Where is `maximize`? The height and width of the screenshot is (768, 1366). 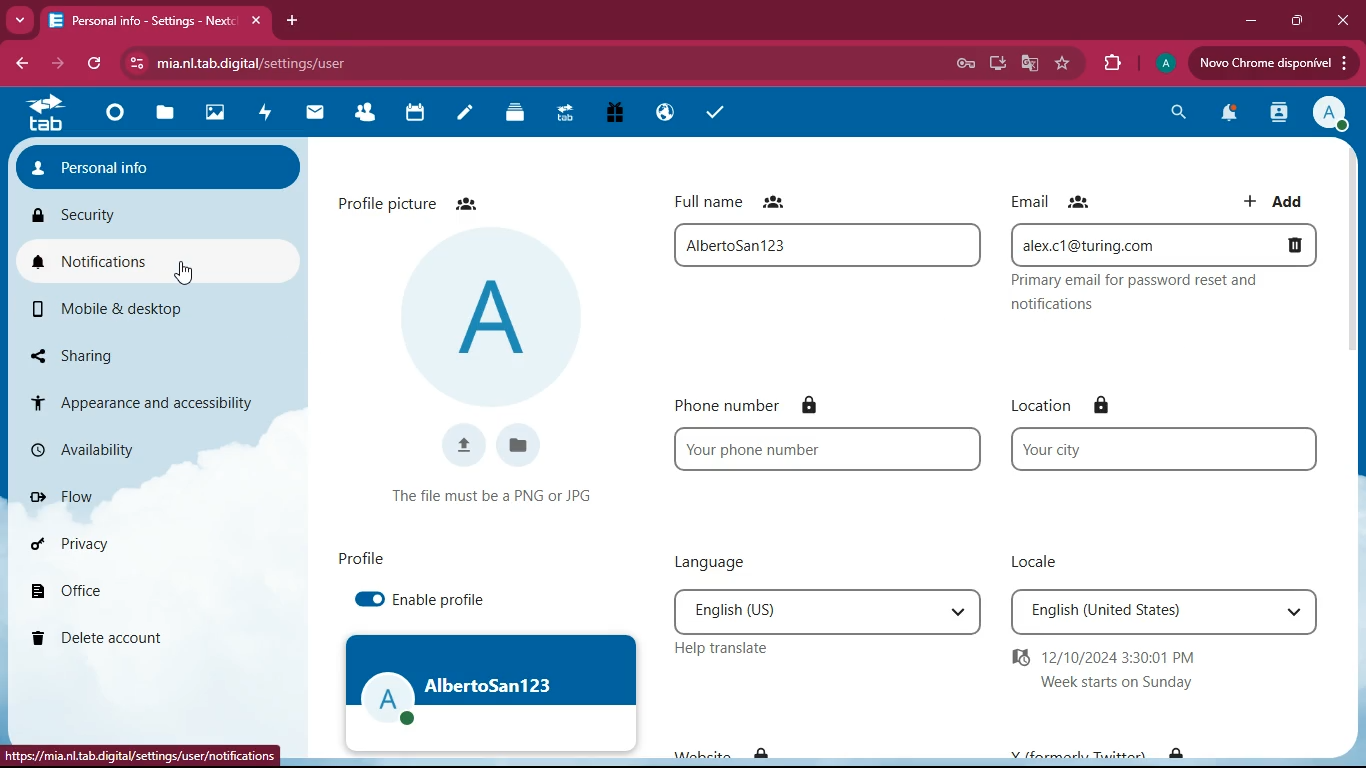 maximize is located at coordinates (1299, 22).